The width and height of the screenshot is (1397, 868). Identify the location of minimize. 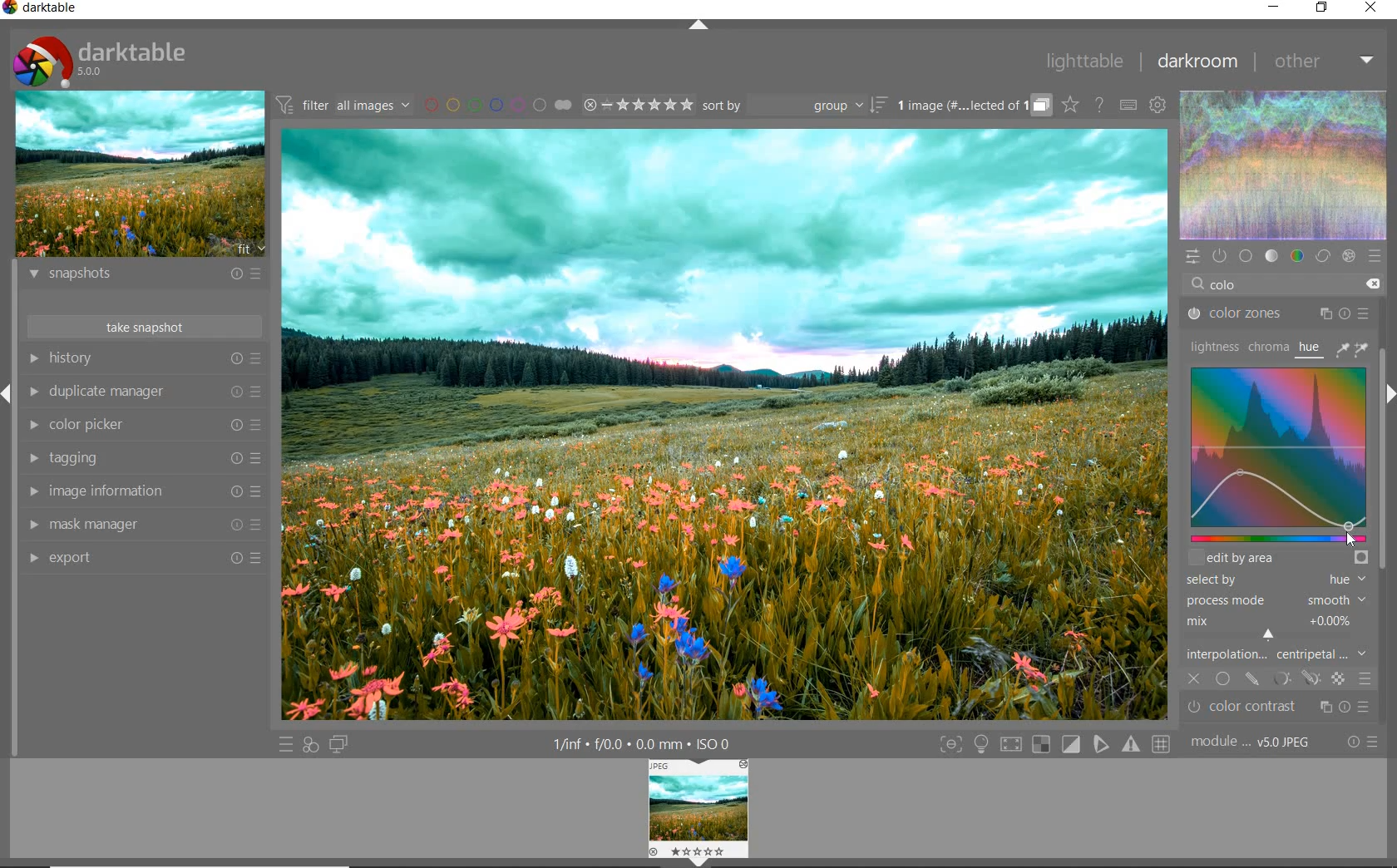
(1276, 8).